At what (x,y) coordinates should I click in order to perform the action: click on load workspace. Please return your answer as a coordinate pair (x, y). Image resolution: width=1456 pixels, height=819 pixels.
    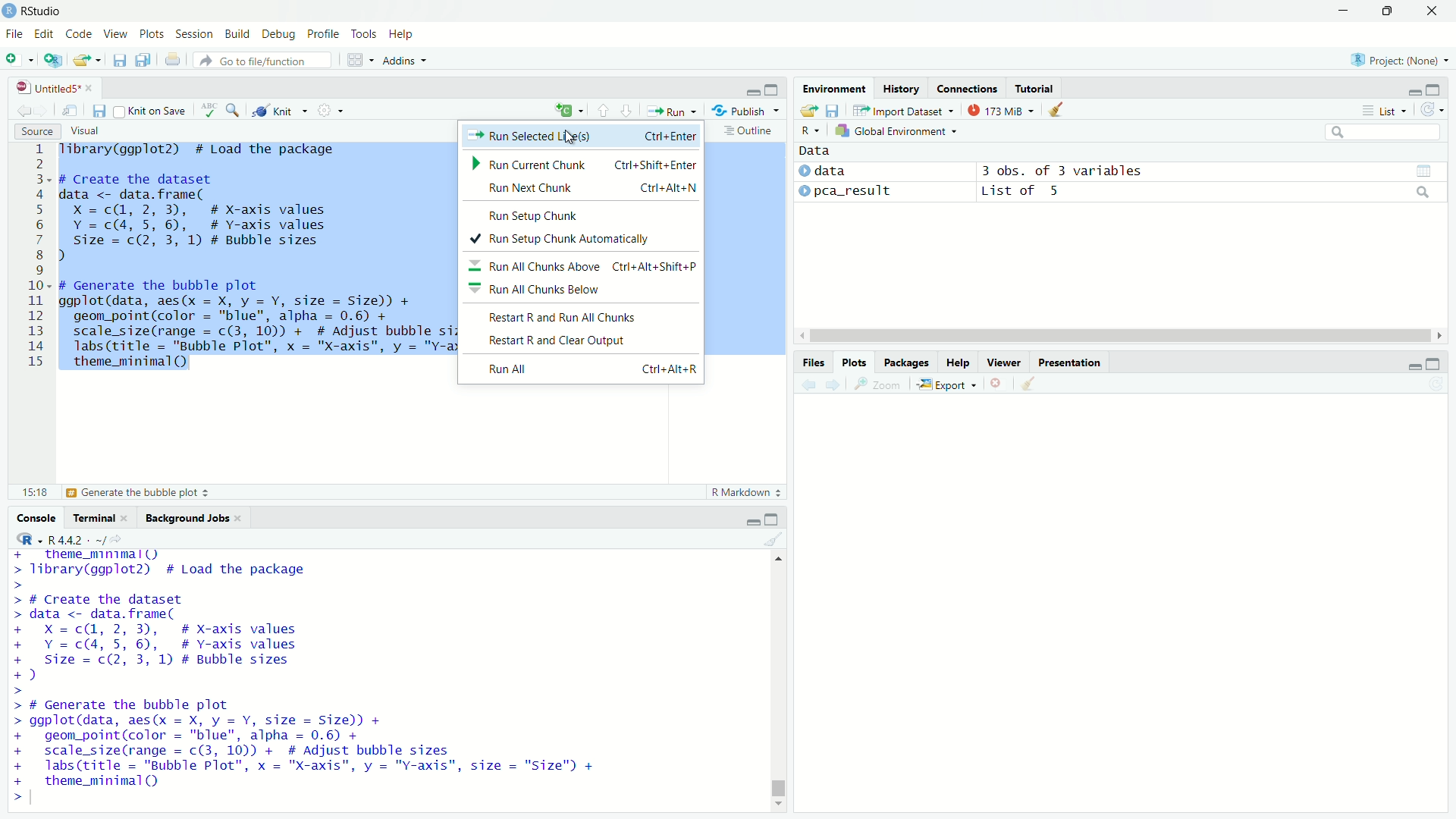
    Looking at the image, I should click on (89, 60).